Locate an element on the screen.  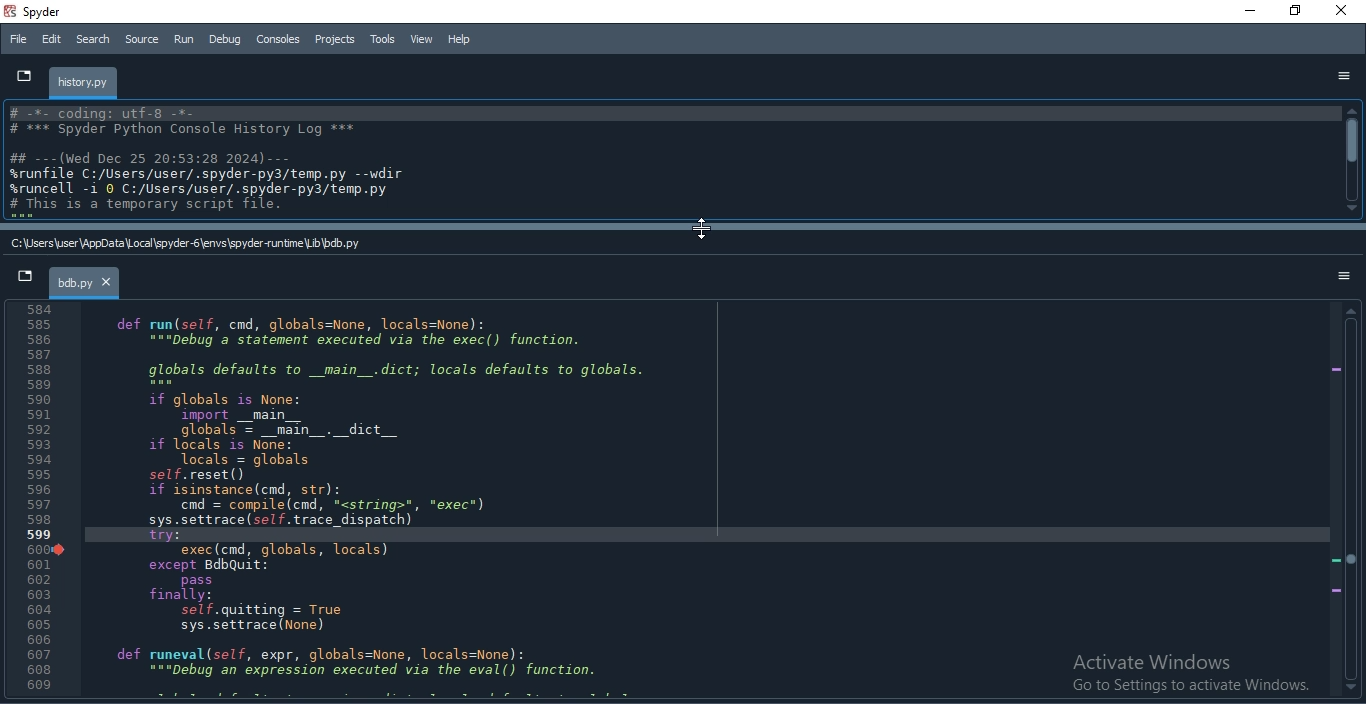
dropdown is located at coordinates (20, 74).